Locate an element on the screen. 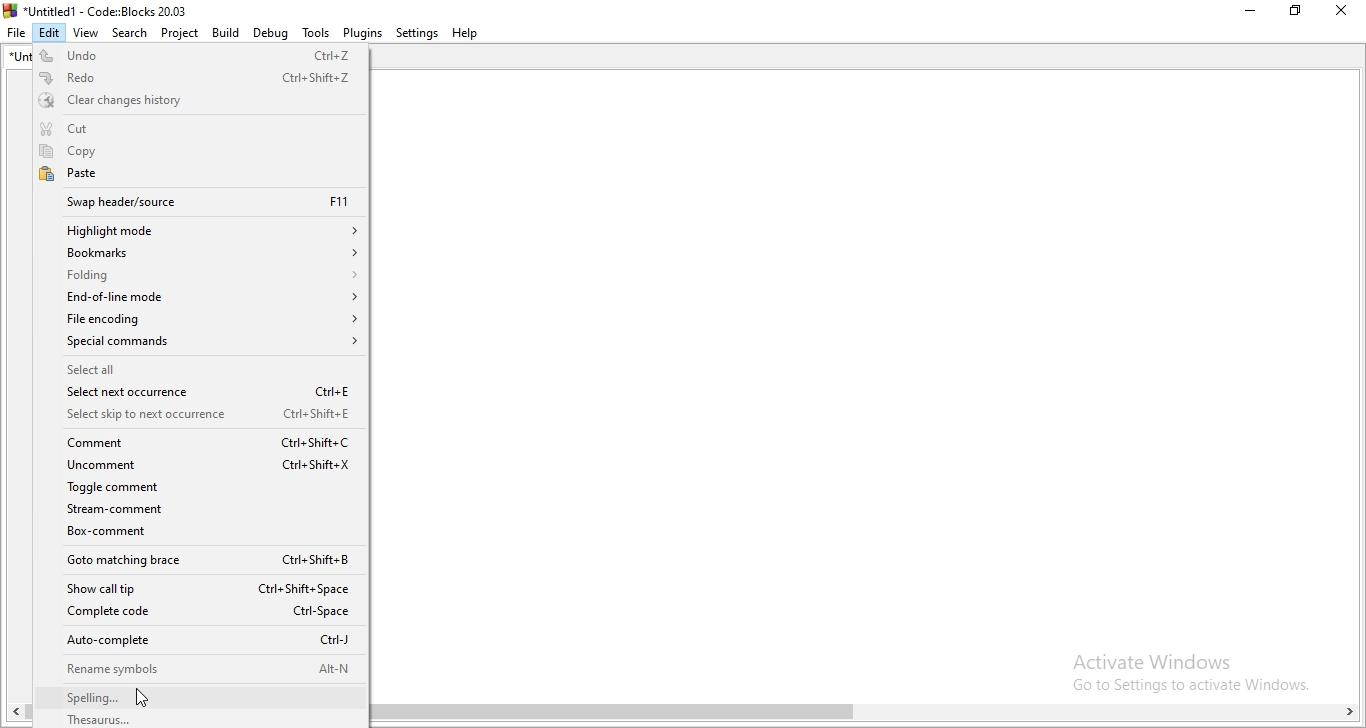 The image size is (1366, 728). Restore is located at coordinates (1295, 13).